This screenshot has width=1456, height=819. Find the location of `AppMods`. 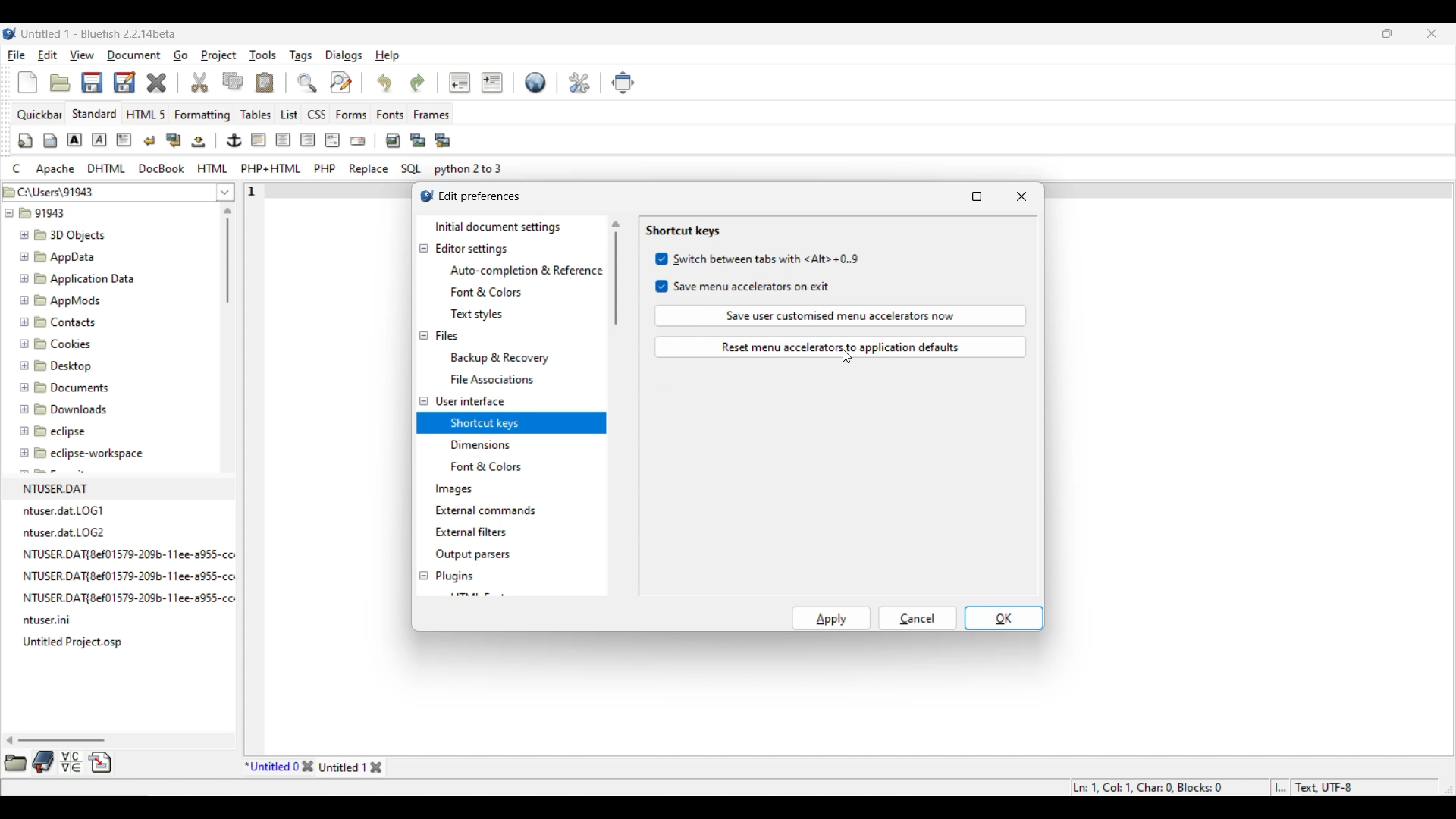

AppMods is located at coordinates (58, 298).